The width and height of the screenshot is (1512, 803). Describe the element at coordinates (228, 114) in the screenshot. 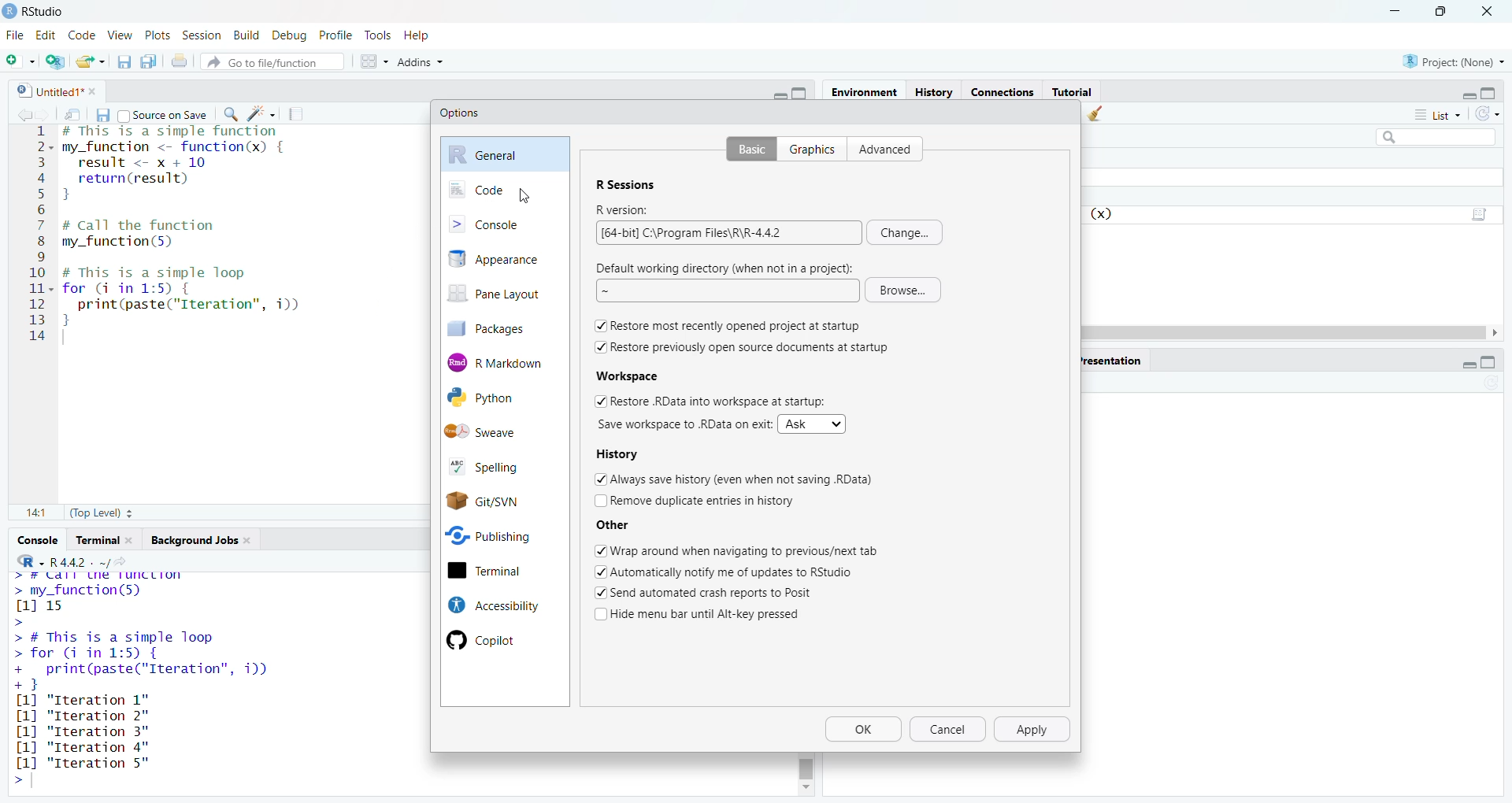

I see `find/replace` at that location.